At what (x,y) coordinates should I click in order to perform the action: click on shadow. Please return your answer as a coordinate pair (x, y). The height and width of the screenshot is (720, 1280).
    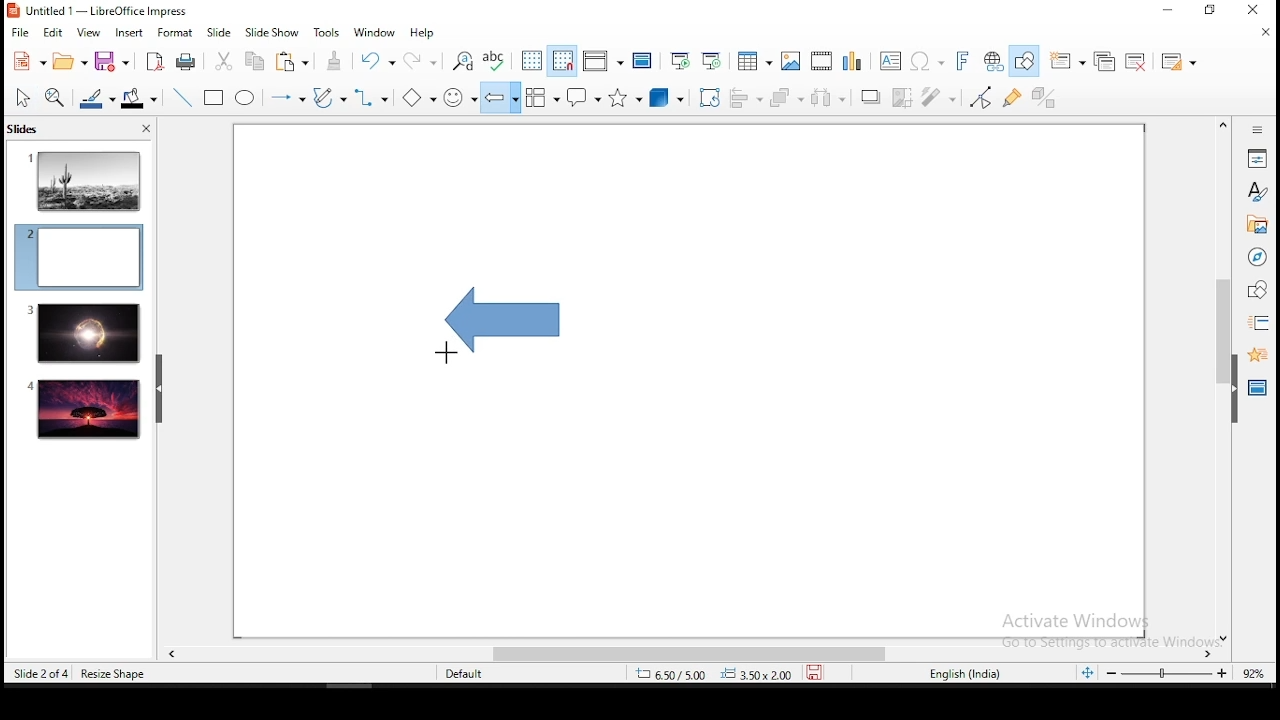
    Looking at the image, I should click on (870, 95).